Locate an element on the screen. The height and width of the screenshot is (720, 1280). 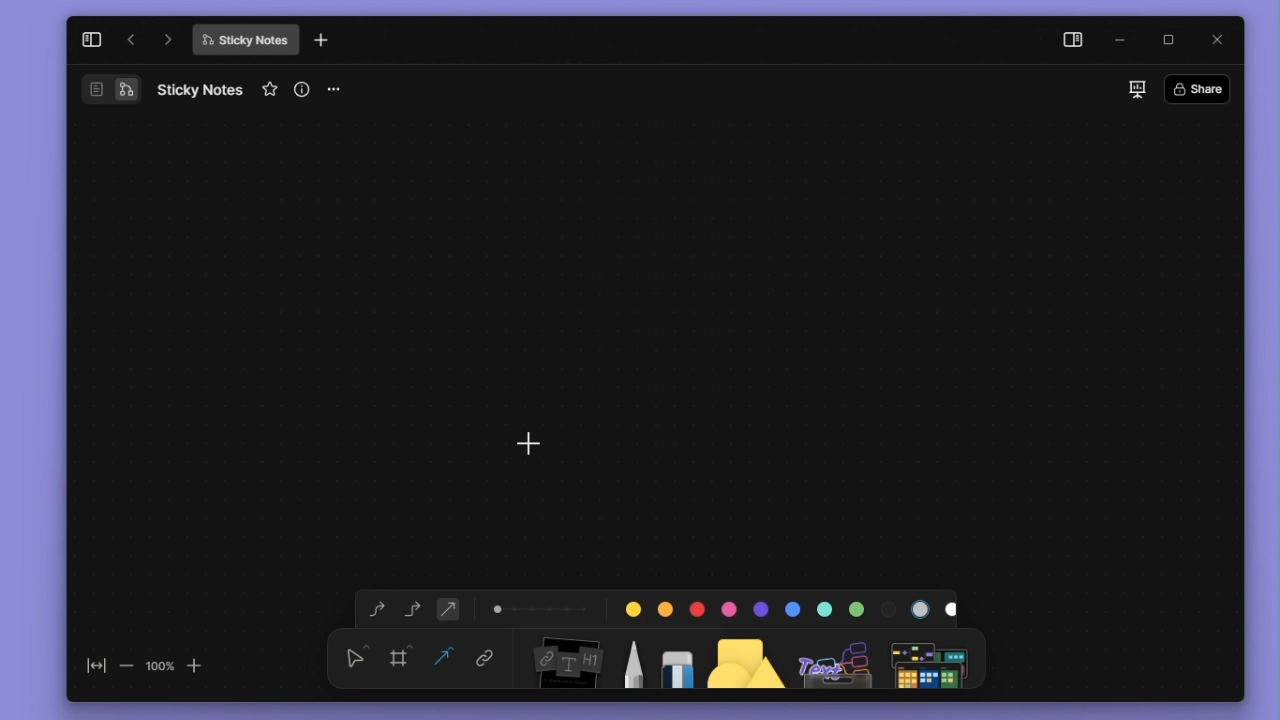
link is located at coordinates (485, 660).